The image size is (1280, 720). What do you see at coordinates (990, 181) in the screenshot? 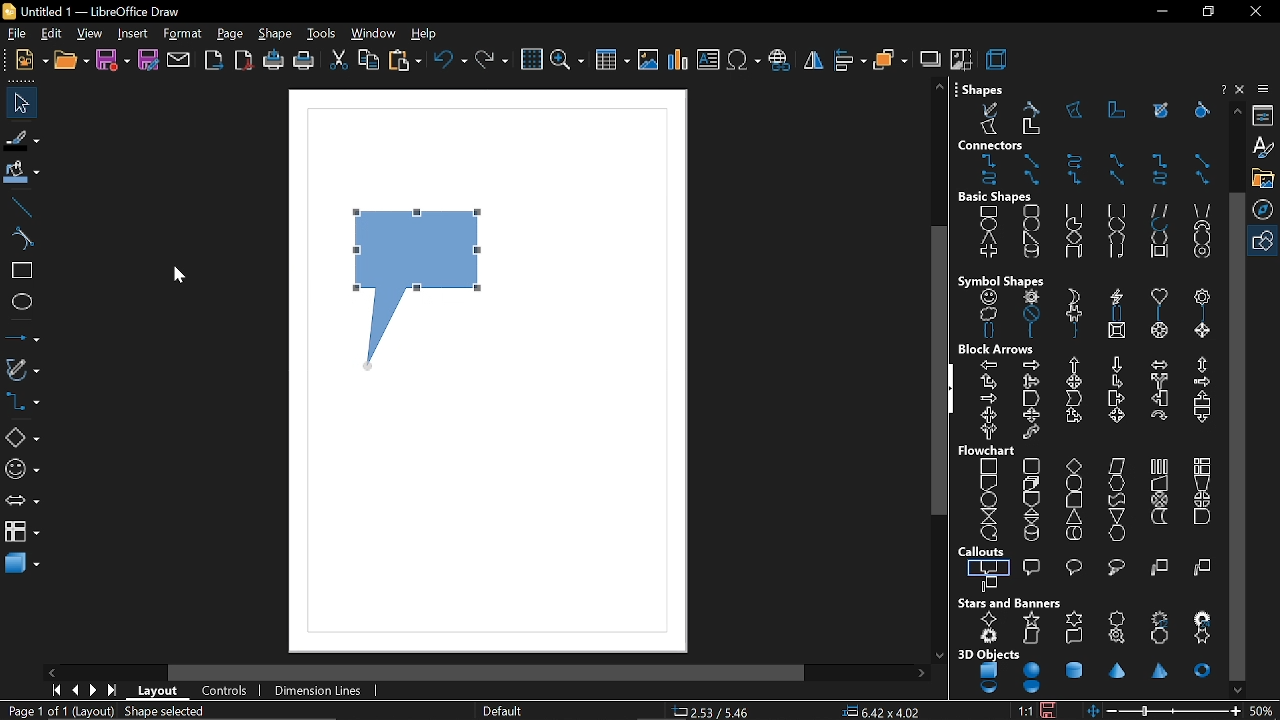
I see `curved connector` at bounding box center [990, 181].